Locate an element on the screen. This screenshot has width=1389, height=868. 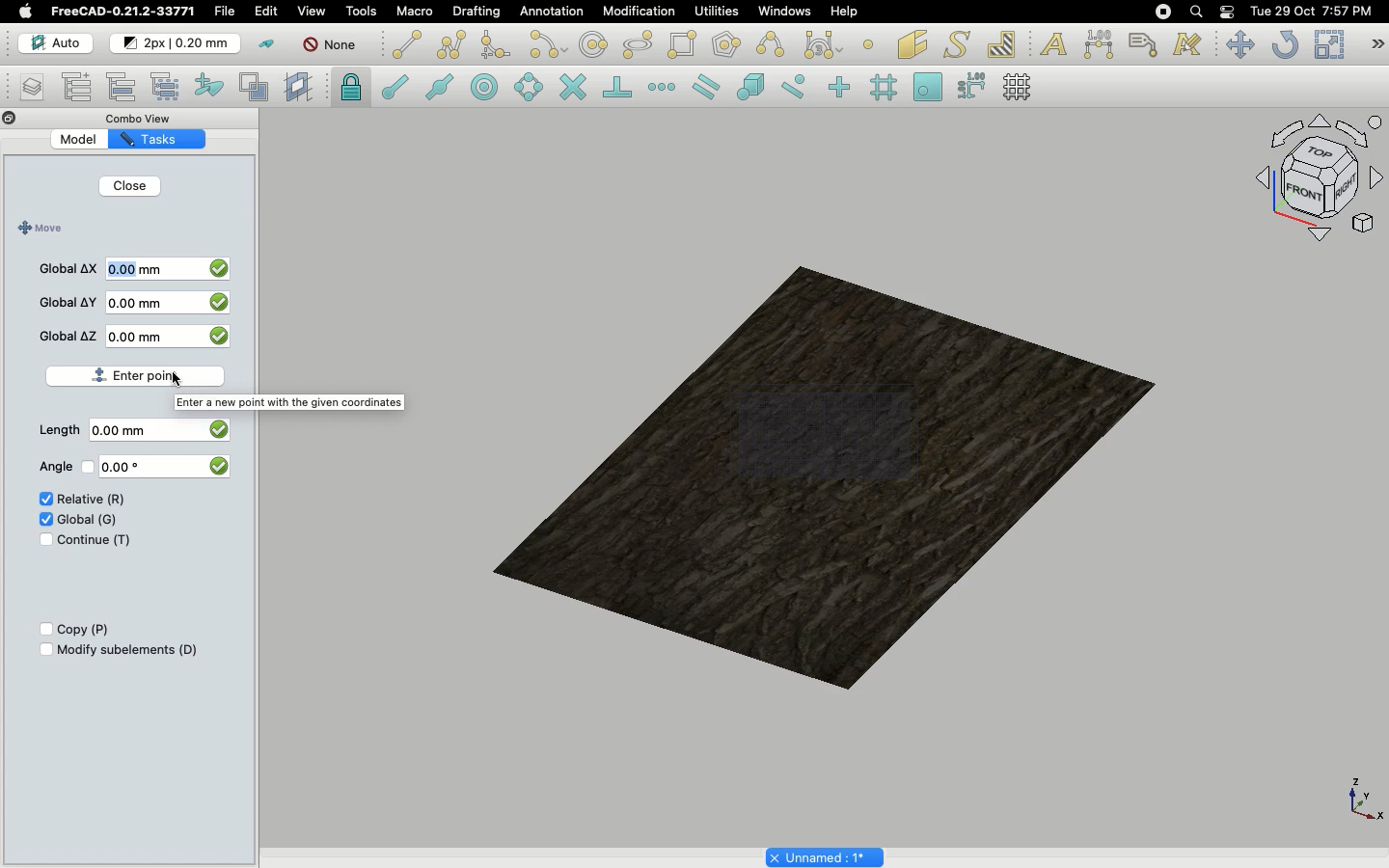
Copy is located at coordinates (85, 630).